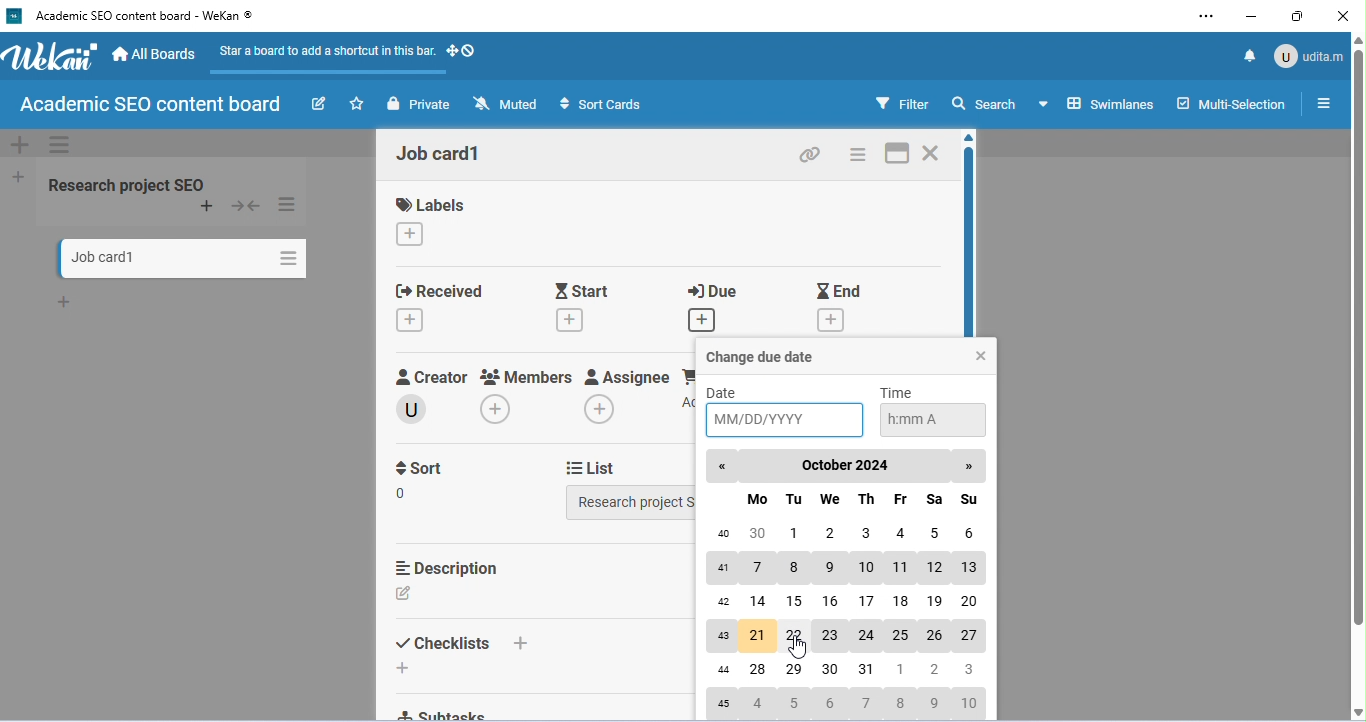 The image size is (1366, 722). Describe the element at coordinates (970, 468) in the screenshot. I see `next month` at that location.